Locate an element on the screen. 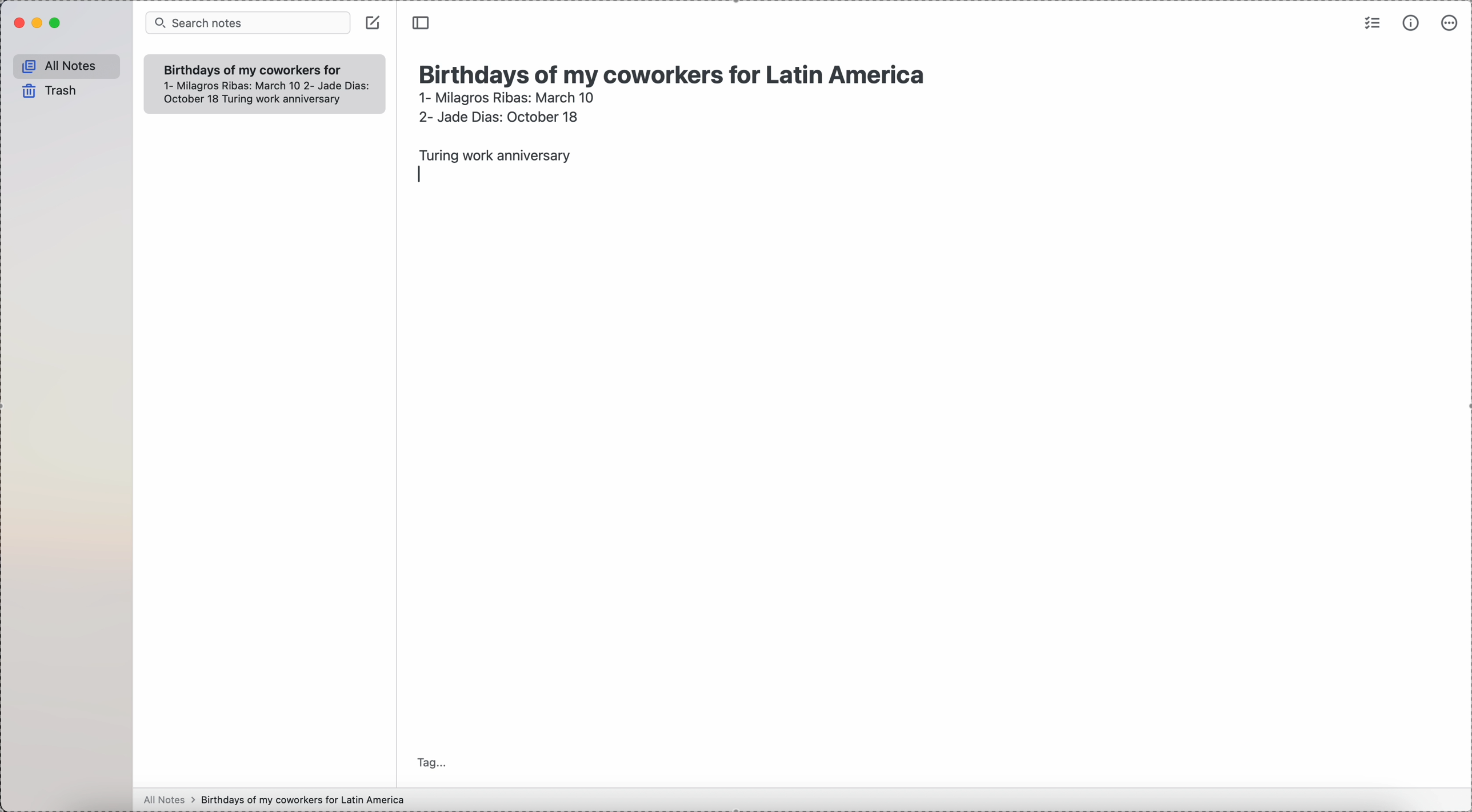 The height and width of the screenshot is (812, 1472). close Simplenote is located at coordinates (18, 23).